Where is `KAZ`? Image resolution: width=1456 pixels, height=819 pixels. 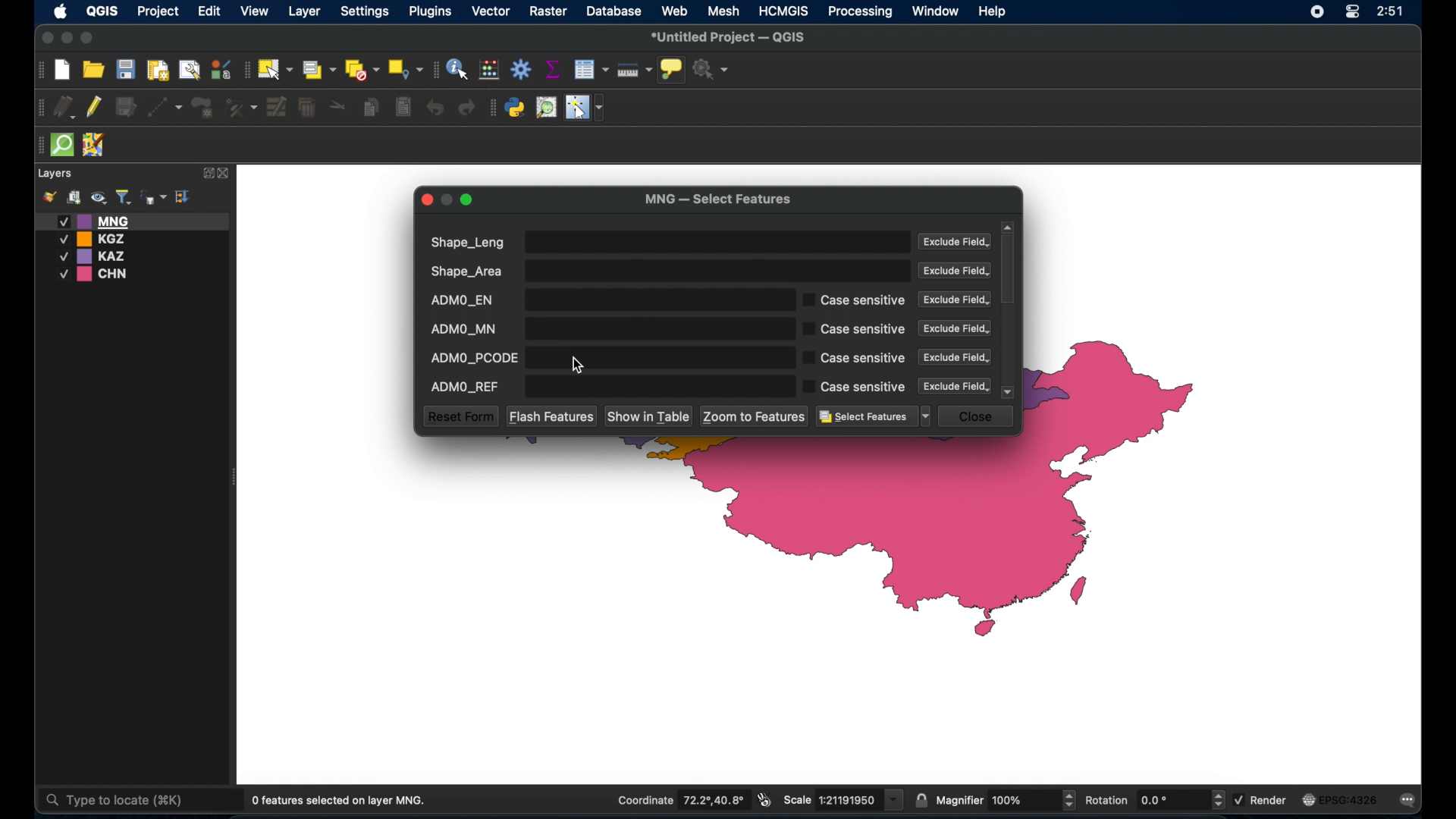
KAZ is located at coordinates (102, 256).